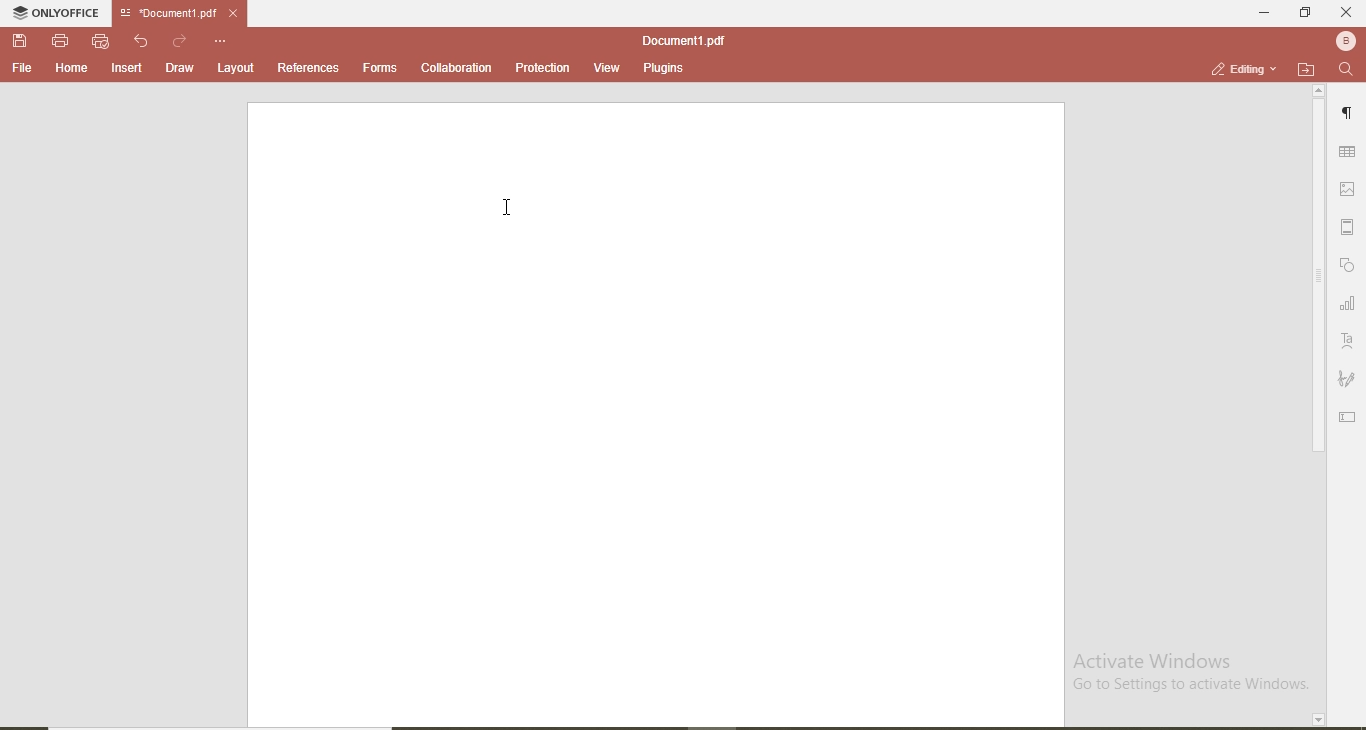  What do you see at coordinates (1343, 70) in the screenshot?
I see `search` at bounding box center [1343, 70].